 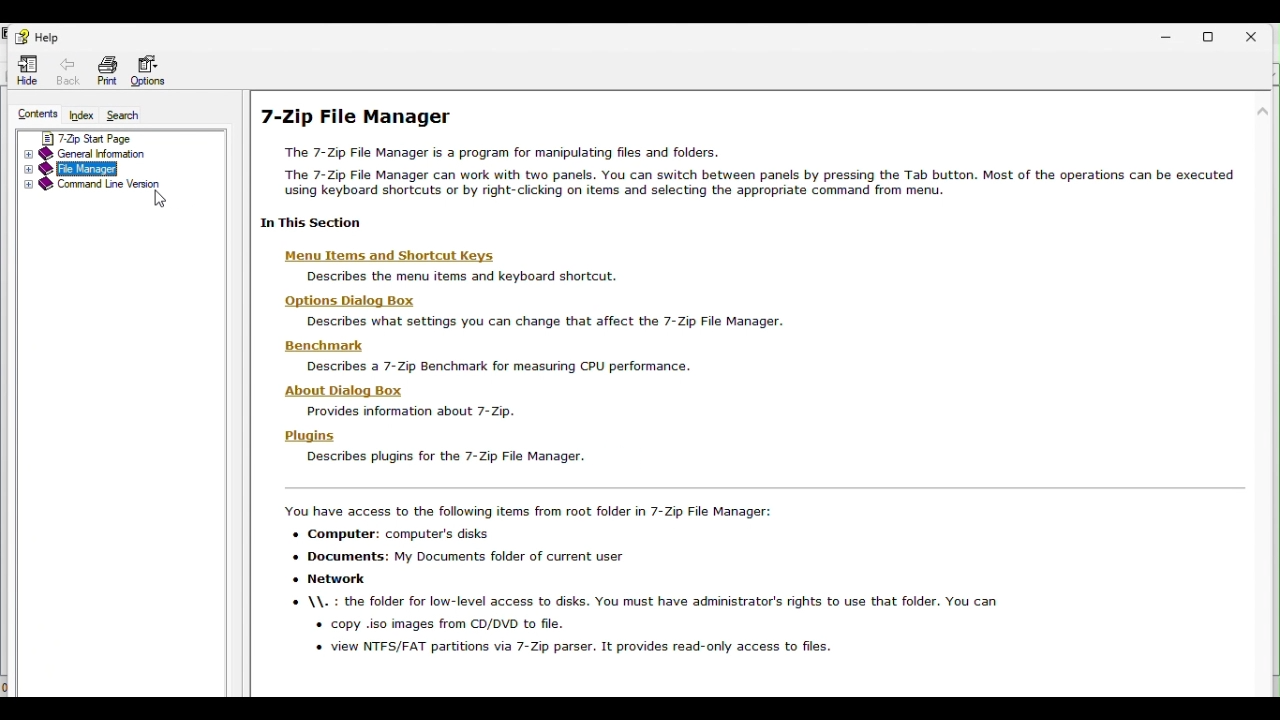 I want to click on Command line version, so click(x=105, y=185).